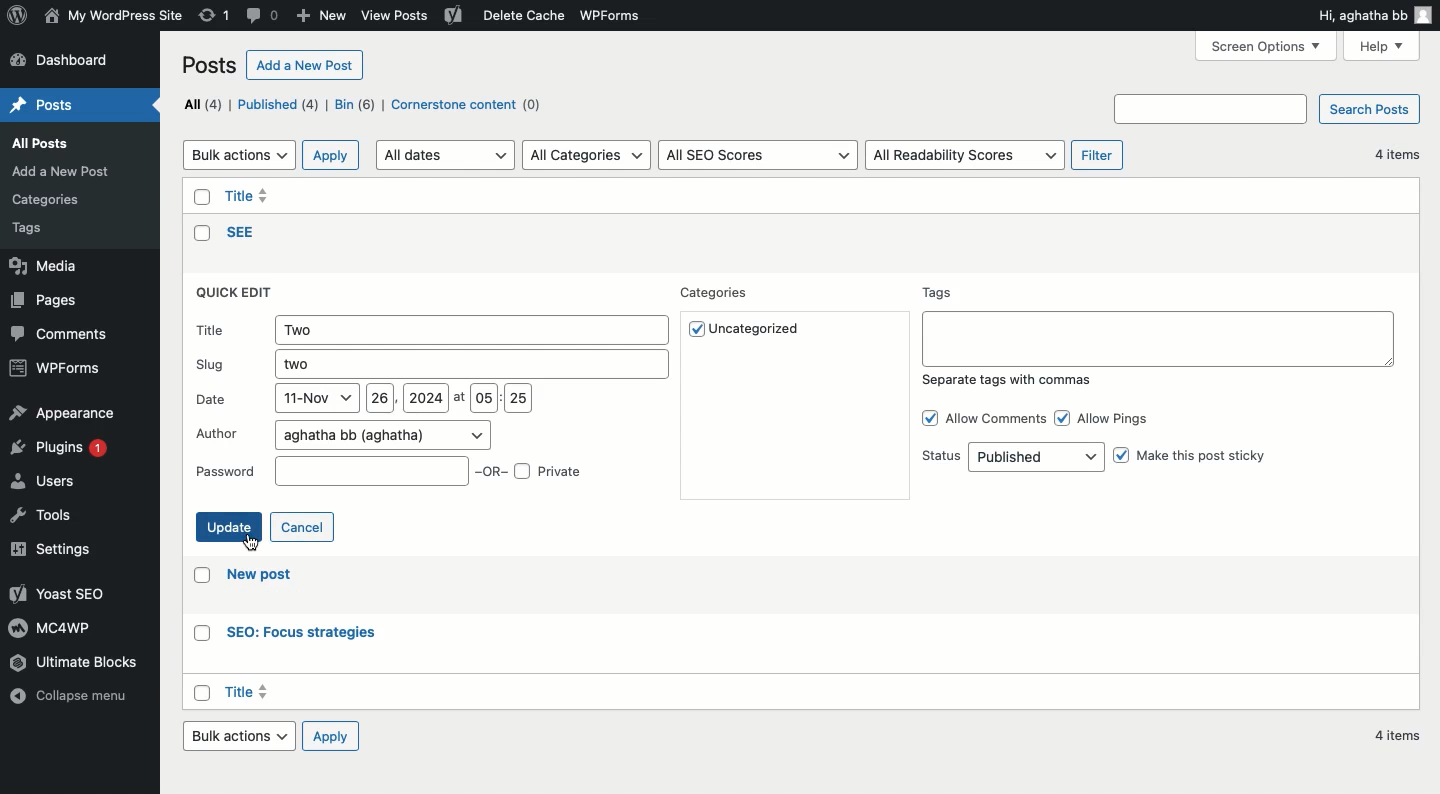 This screenshot has width=1440, height=794. What do you see at coordinates (252, 694) in the screenshot?
I see `Title 3` at bounding box center [252, 694].